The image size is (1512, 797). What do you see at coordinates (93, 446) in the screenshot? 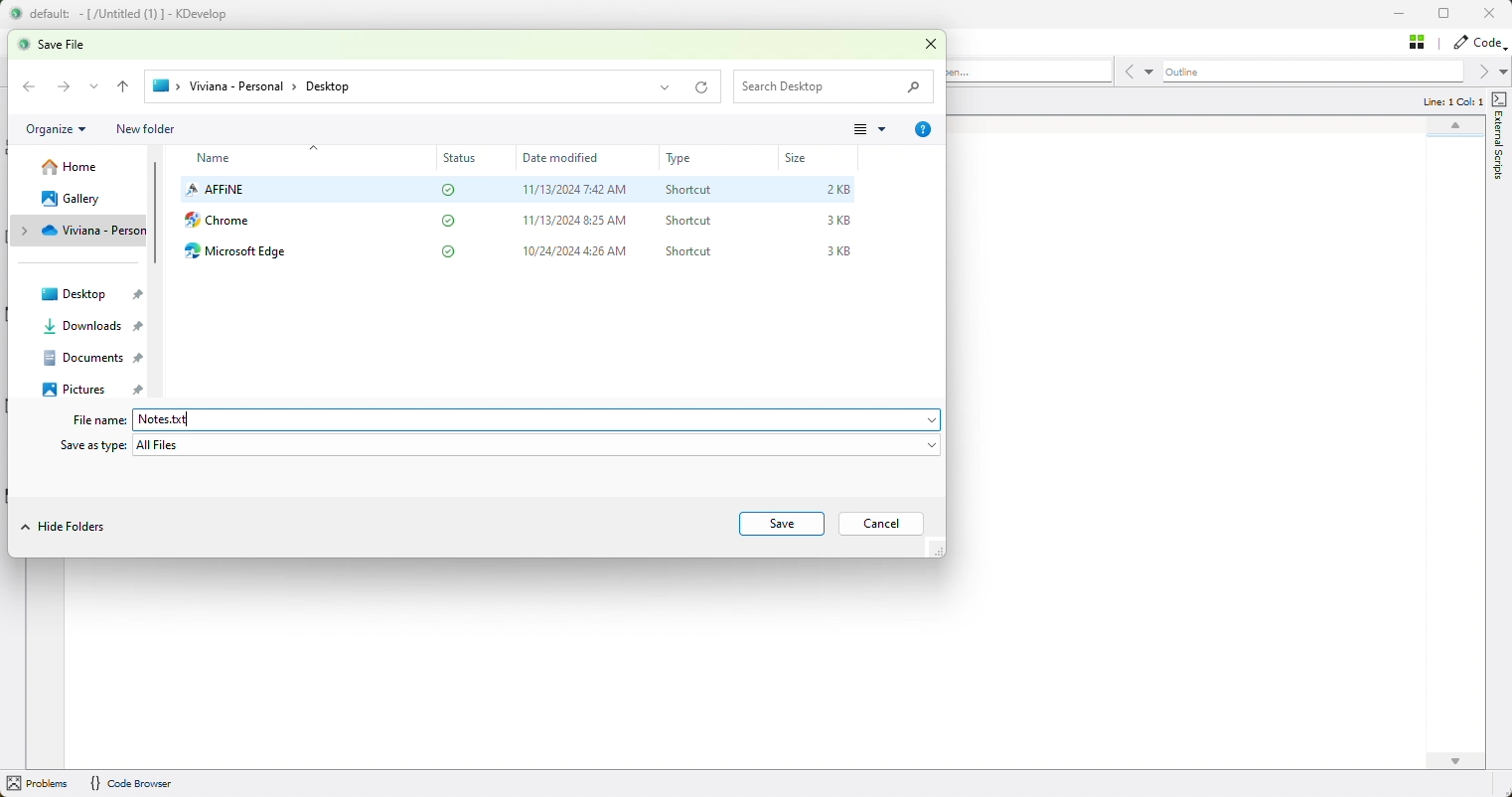
I see `Save as type:` at bounding box center [93, 446].